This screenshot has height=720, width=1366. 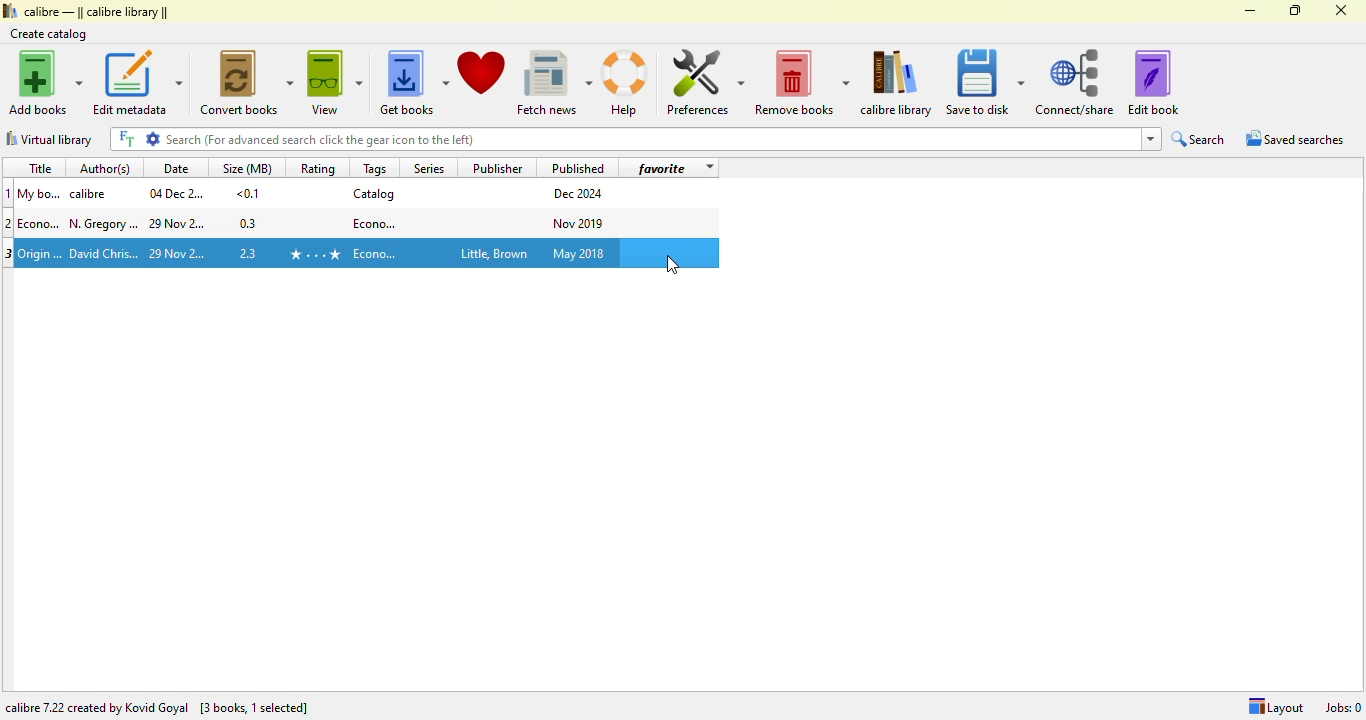 What do you see at coordinates (9, 254) in the screenshot?
I see `3` at bounding box center [9, 254].